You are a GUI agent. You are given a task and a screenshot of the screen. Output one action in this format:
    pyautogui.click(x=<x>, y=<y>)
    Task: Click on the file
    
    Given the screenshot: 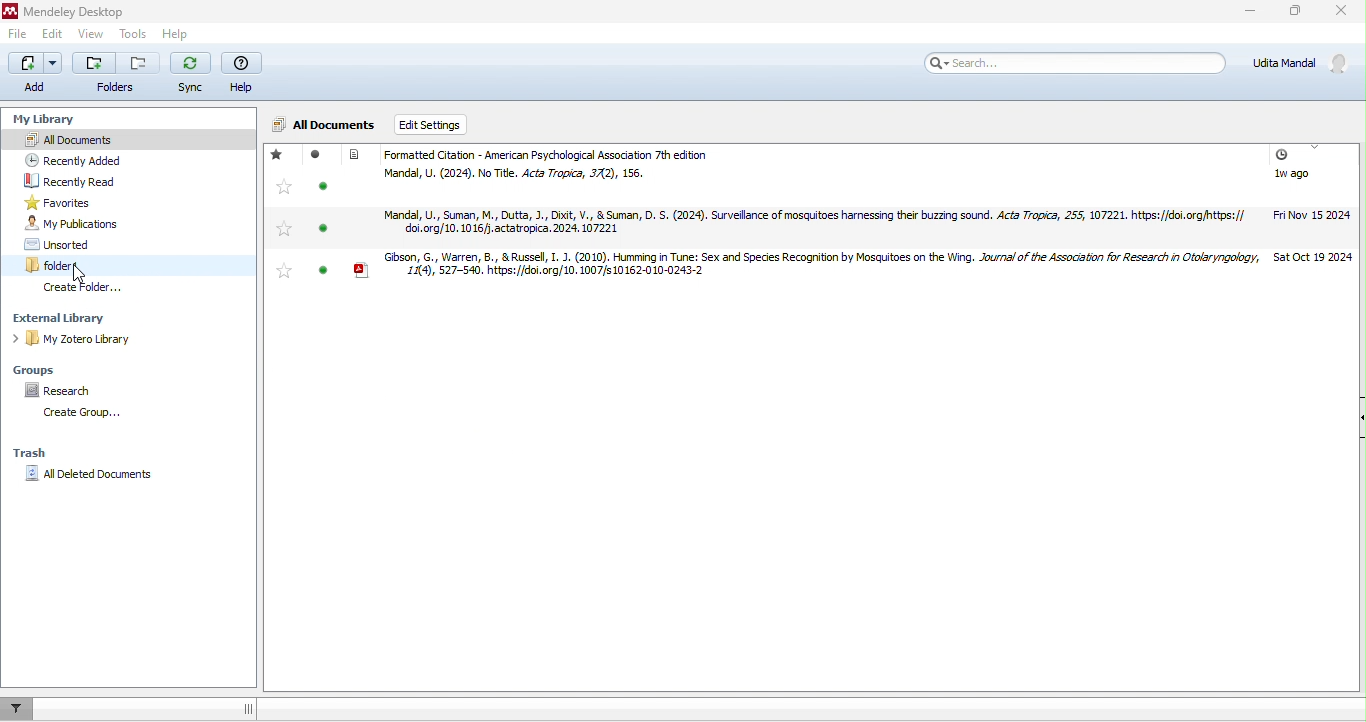 What is the action you would take?
    pyautogui.click(x=15, y=34)
    